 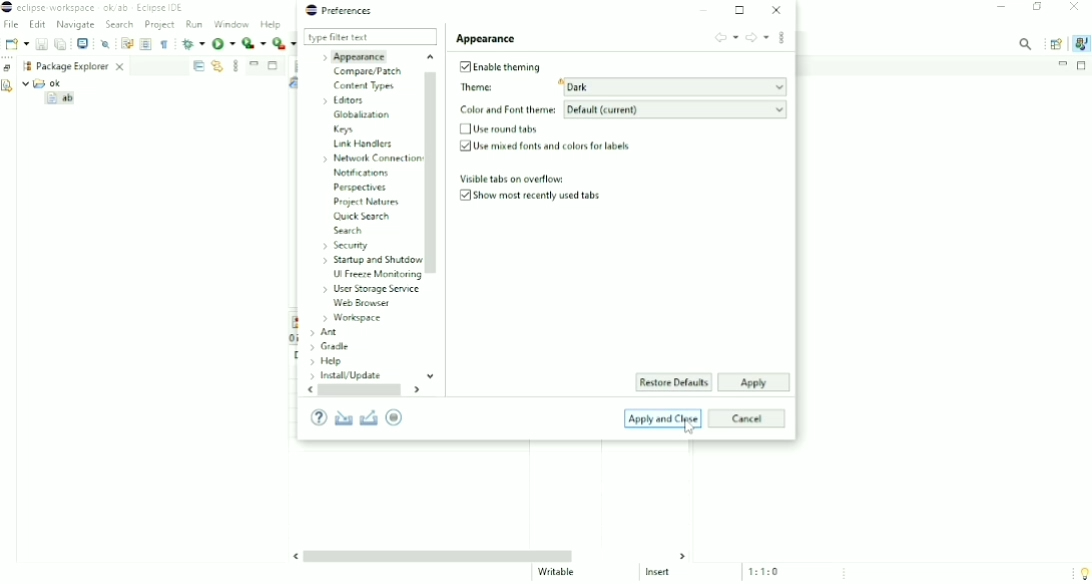 I want to click on Open a Terminal, so click(x=83, y=43).